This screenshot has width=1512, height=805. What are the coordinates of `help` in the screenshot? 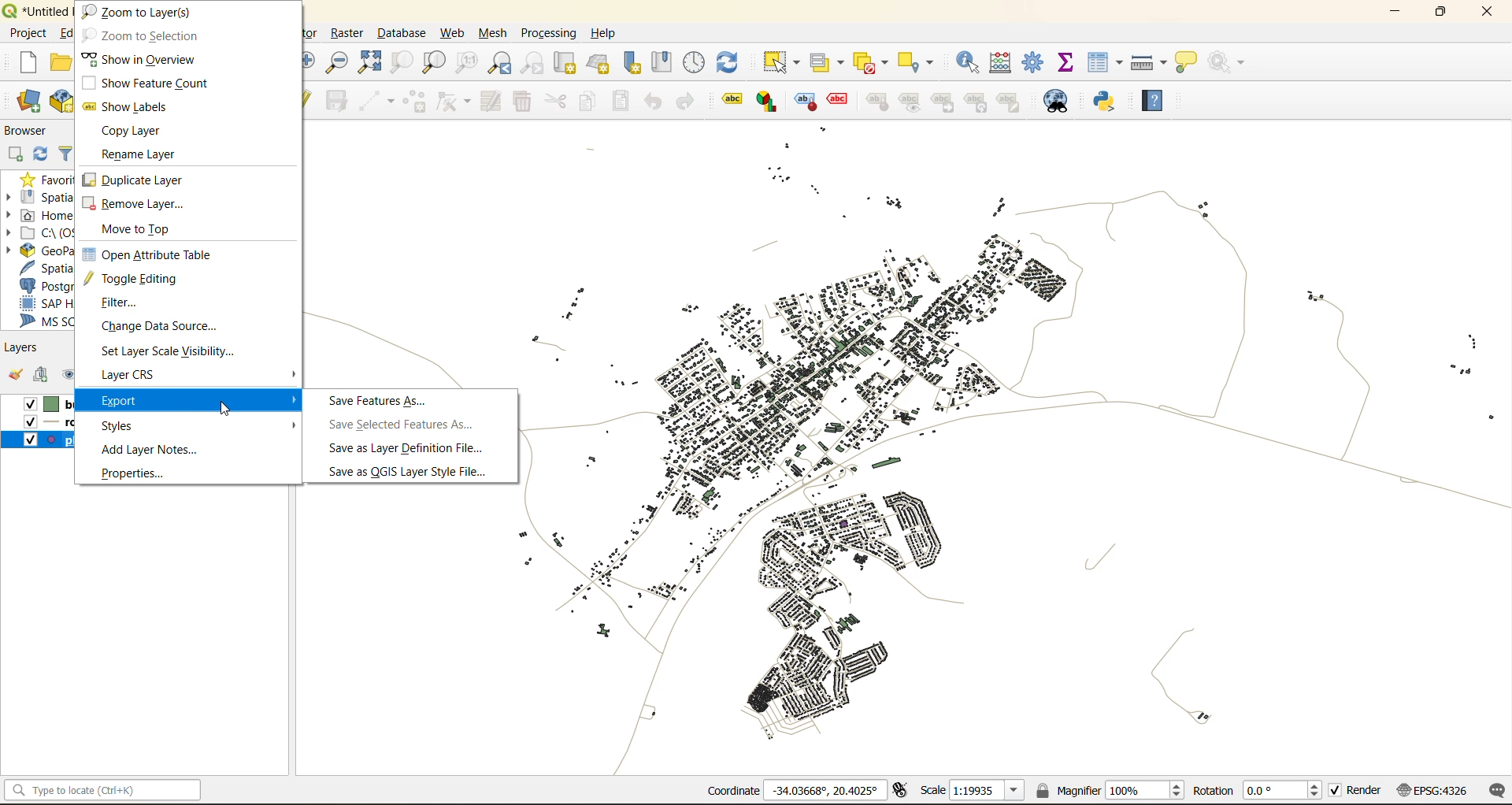 It's located at (1157, 97).